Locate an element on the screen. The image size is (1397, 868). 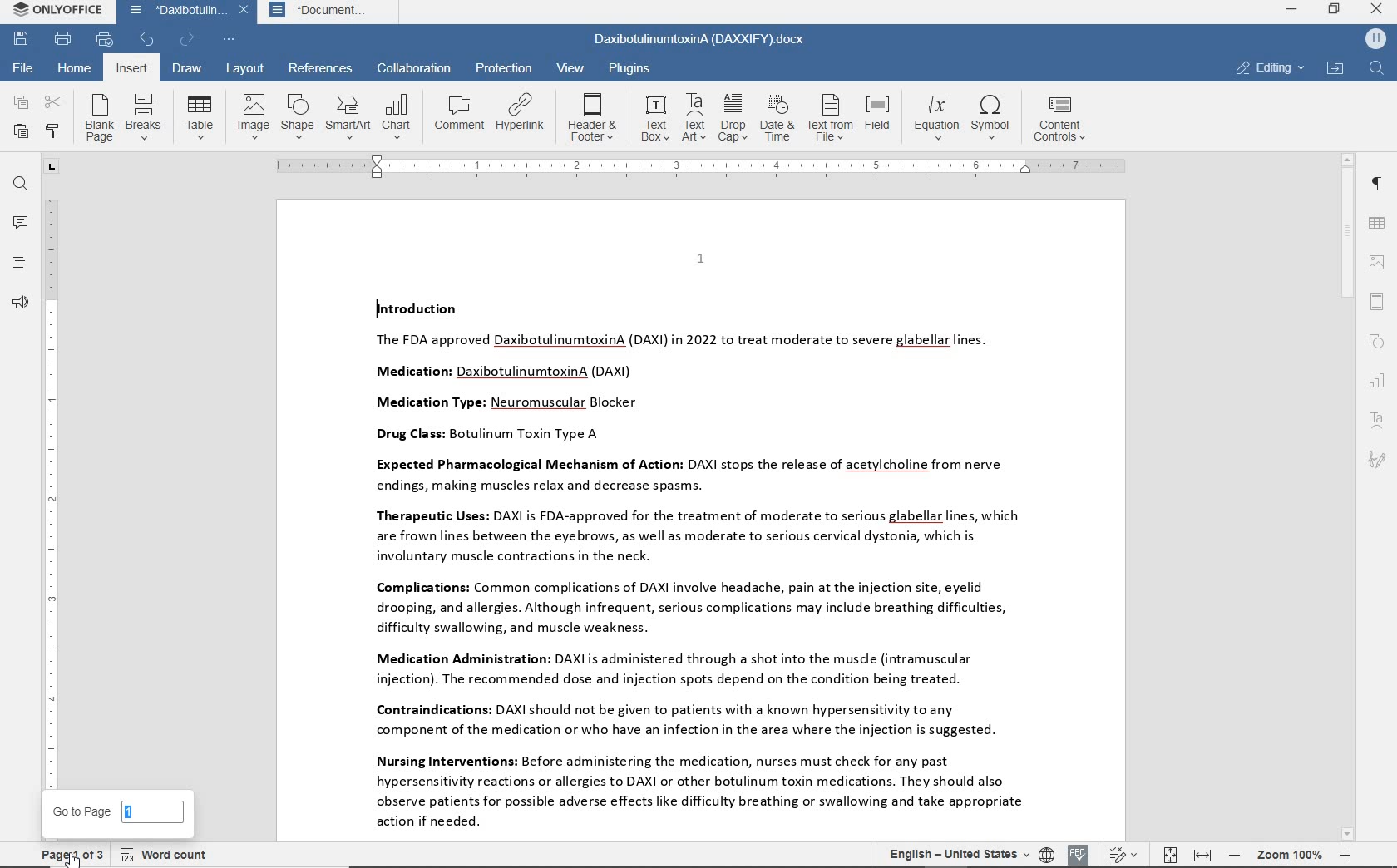
signature is located at coordinates (1377, 461).